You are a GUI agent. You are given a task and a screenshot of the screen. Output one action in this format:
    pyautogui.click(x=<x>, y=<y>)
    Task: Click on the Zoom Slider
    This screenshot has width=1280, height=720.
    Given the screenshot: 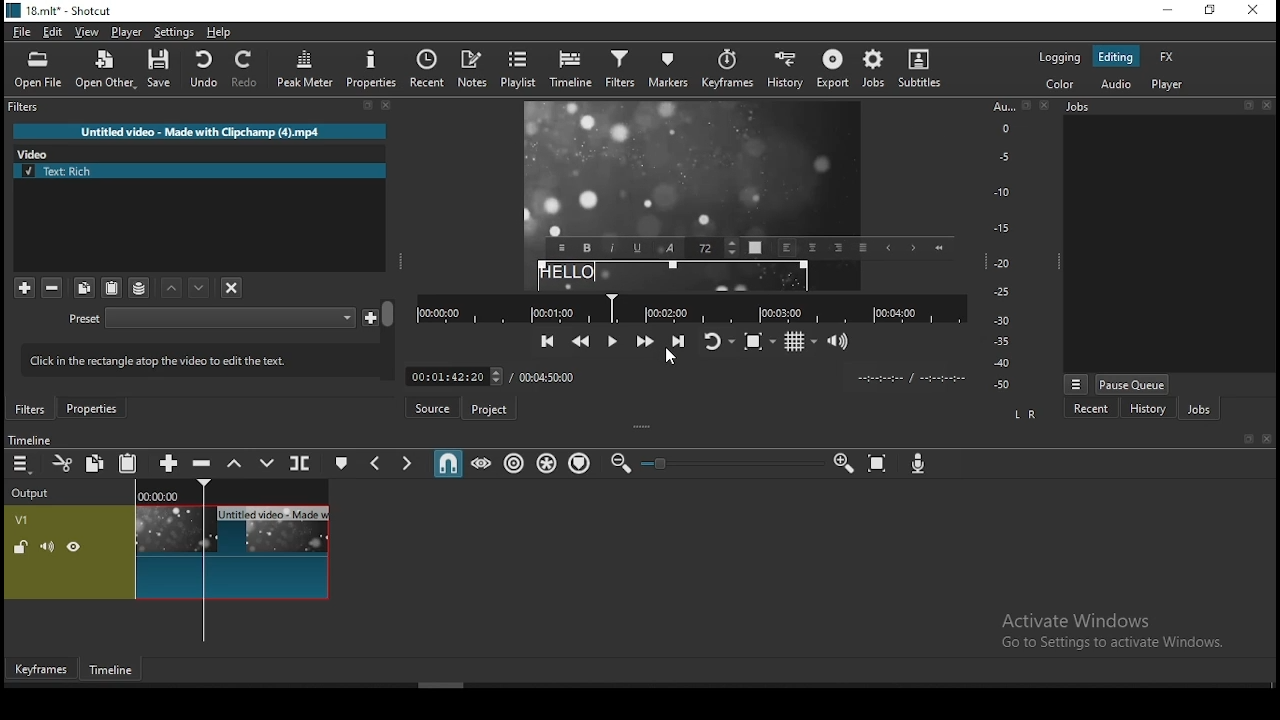 What is the action you would take?
    pyautogui.click(x=732, y=464)
    